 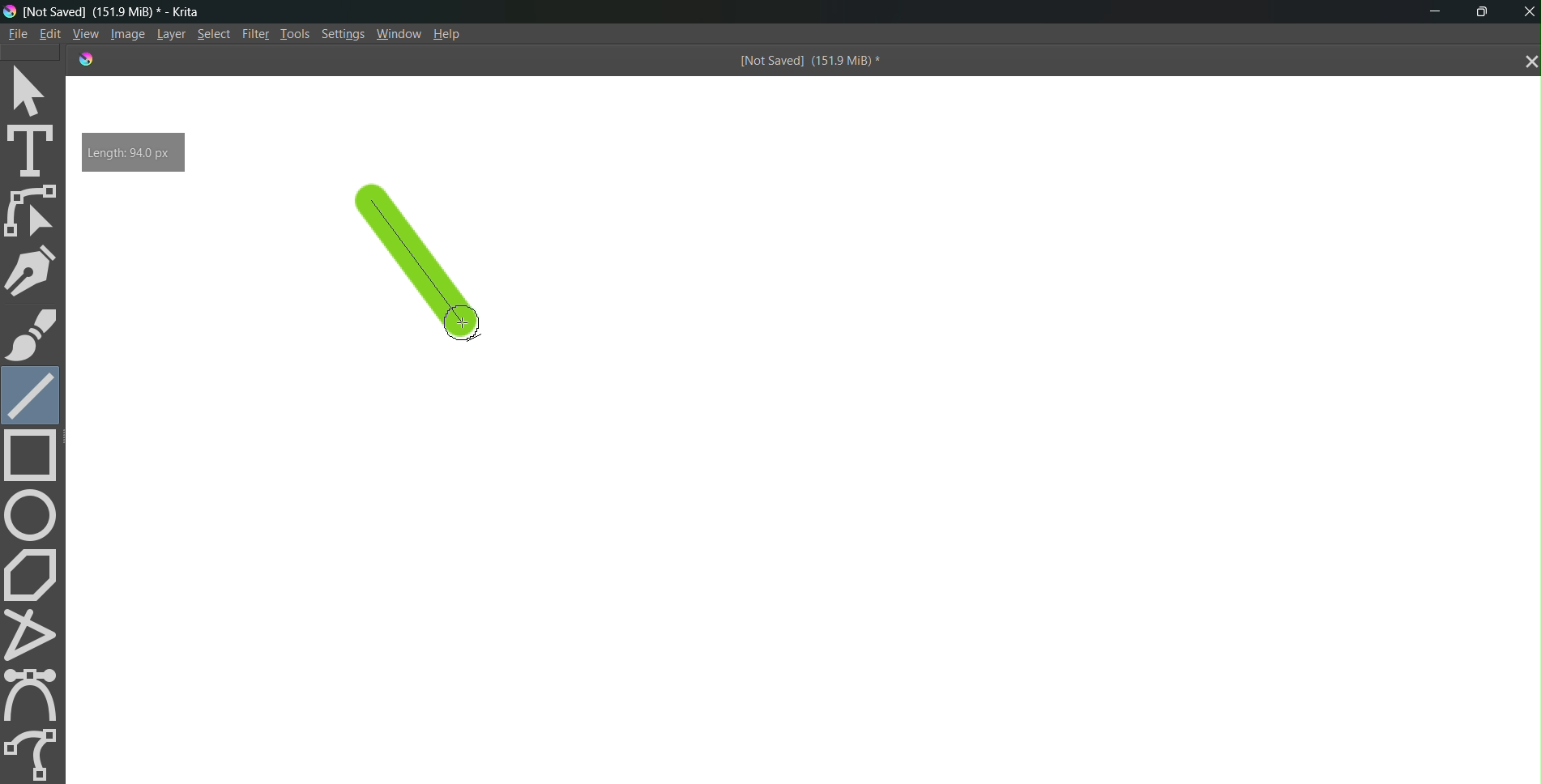 I want to click on brush, so click(x=32, y=334).